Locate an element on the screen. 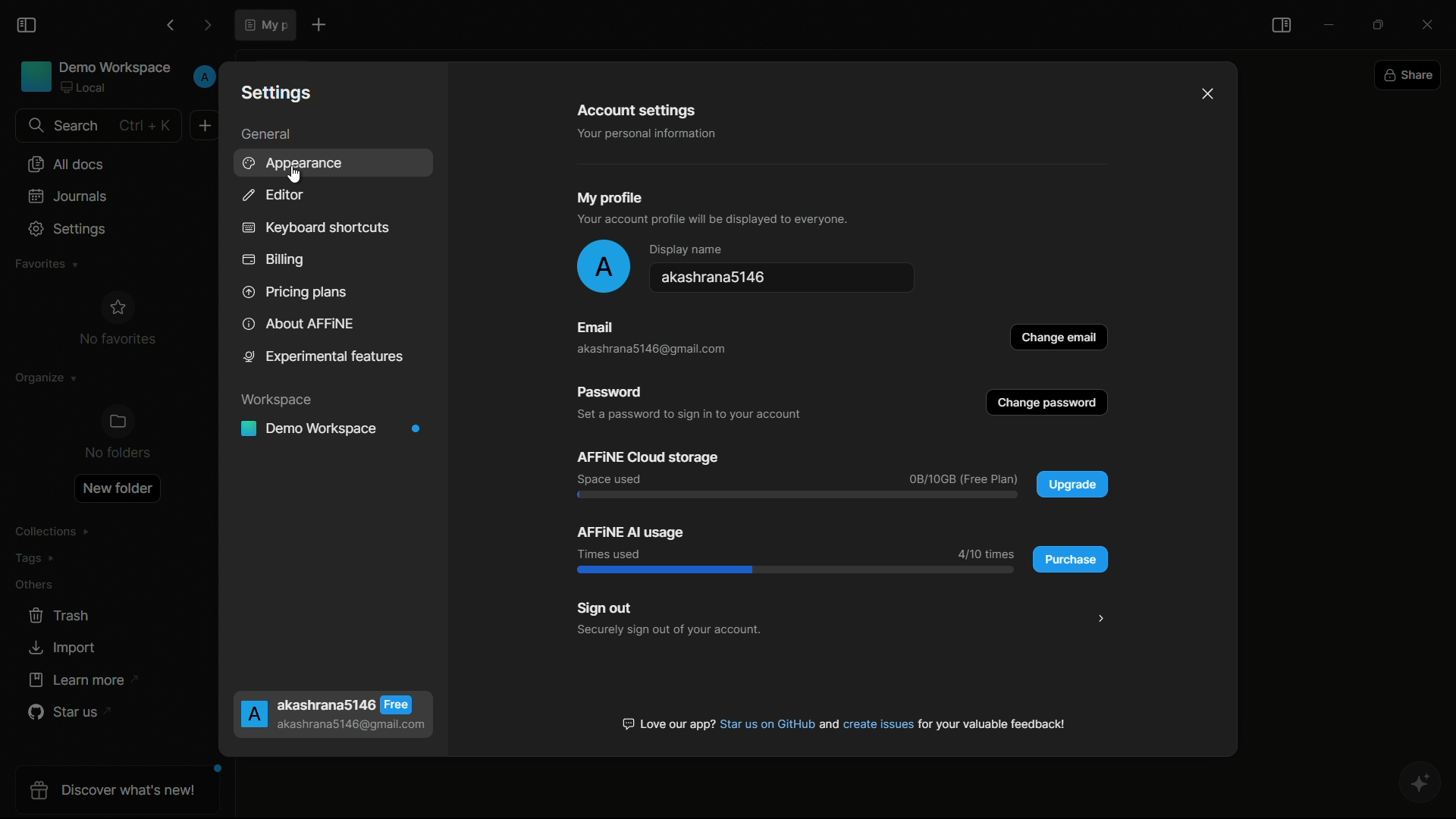 The image size is (1456, 819). others is located at coordinates (34, 588).